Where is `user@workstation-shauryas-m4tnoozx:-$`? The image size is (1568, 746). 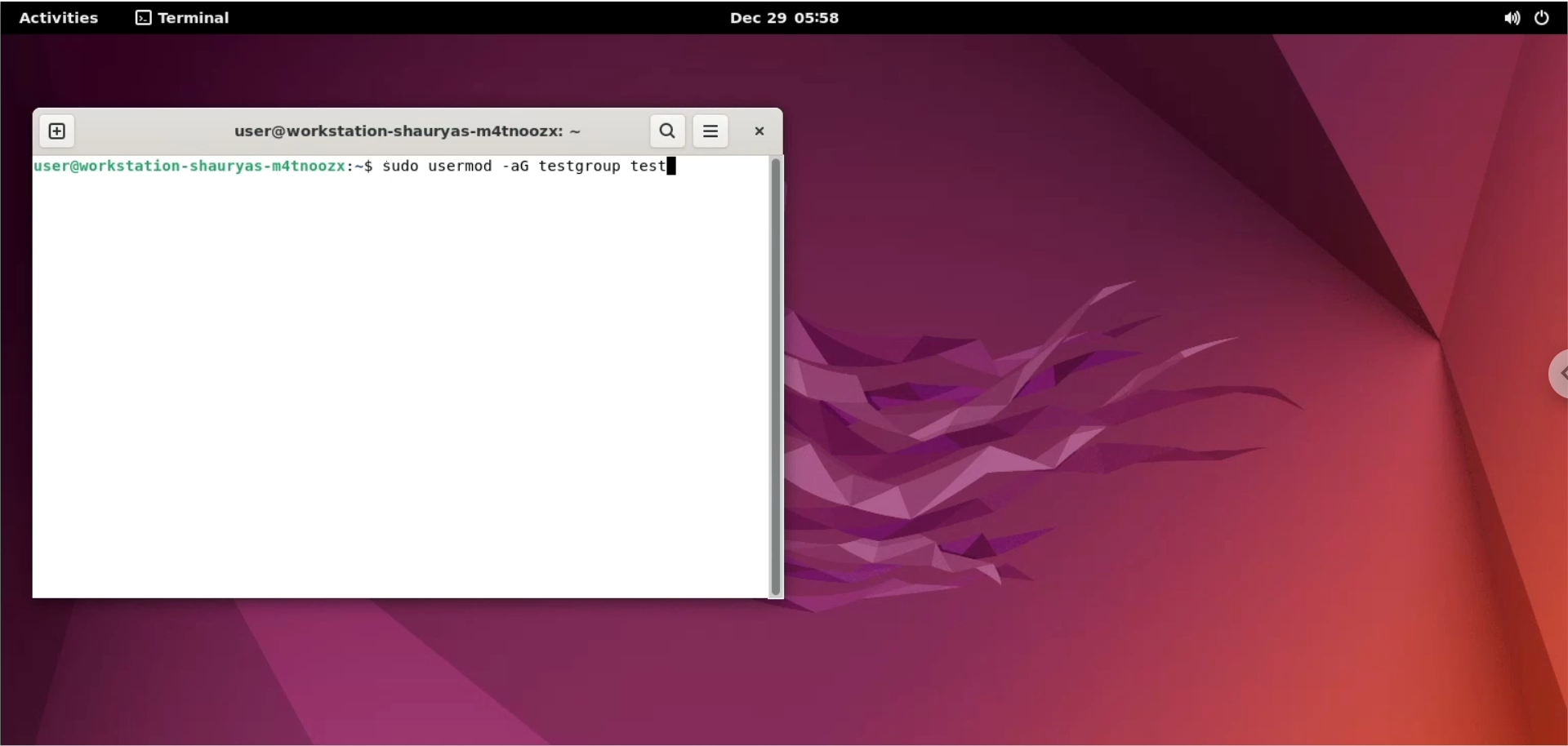
user@workstation-shauryas-m4tnoozx:-$ is located at coordinates (203, 166).